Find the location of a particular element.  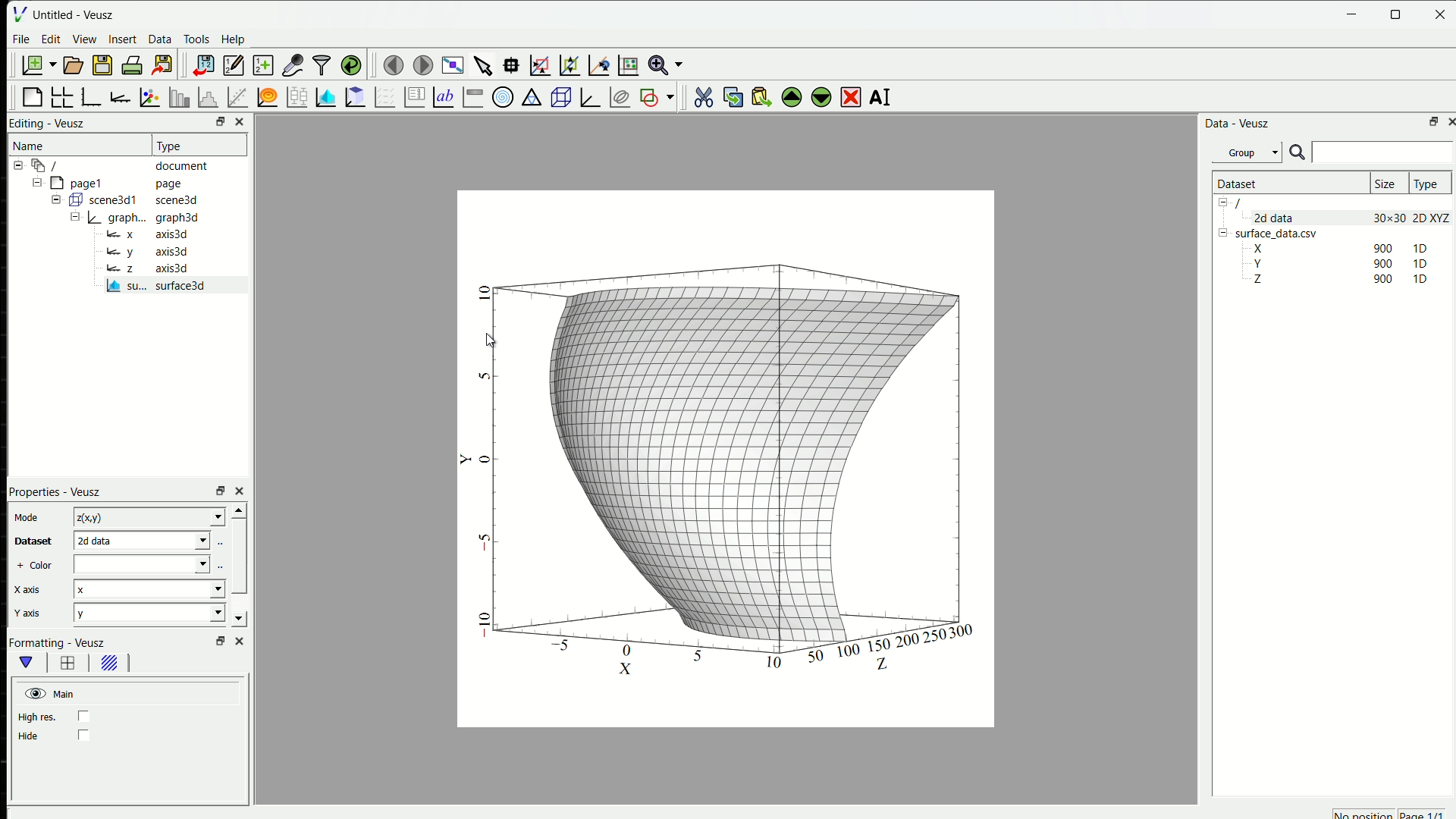

Drop-down  is located at coordinates (218, 613).